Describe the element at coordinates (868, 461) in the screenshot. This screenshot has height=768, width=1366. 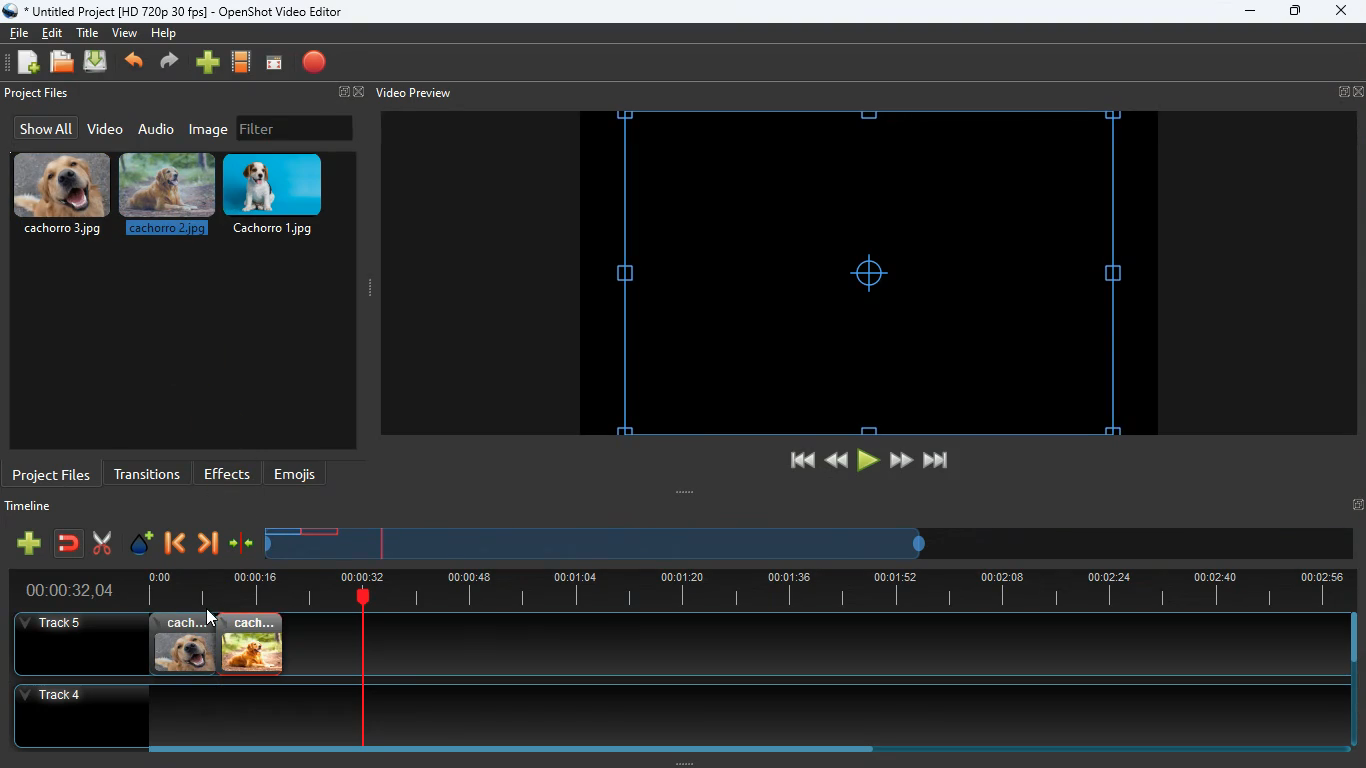
I see `play` at that location.